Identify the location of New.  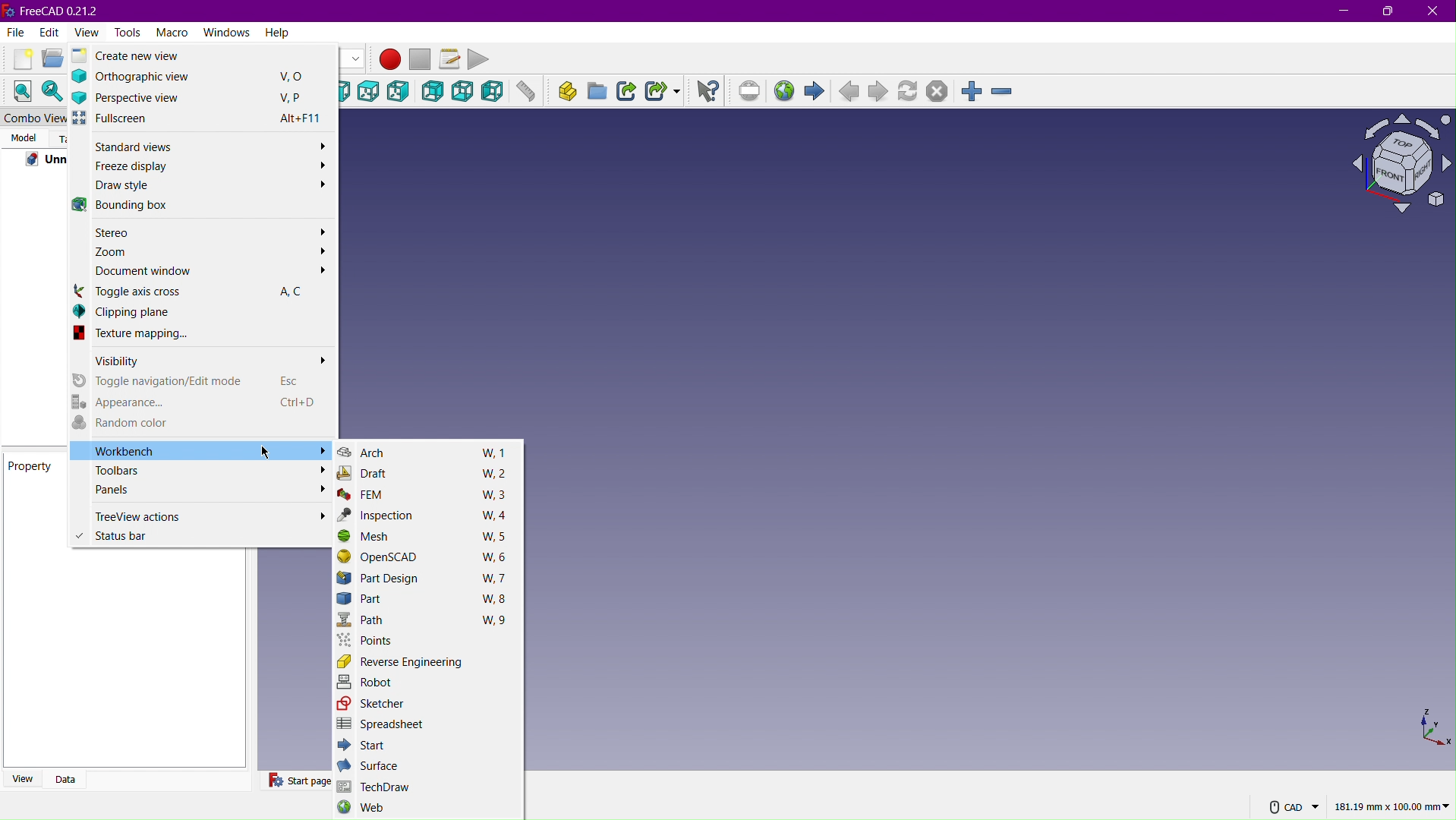
(24, 59).